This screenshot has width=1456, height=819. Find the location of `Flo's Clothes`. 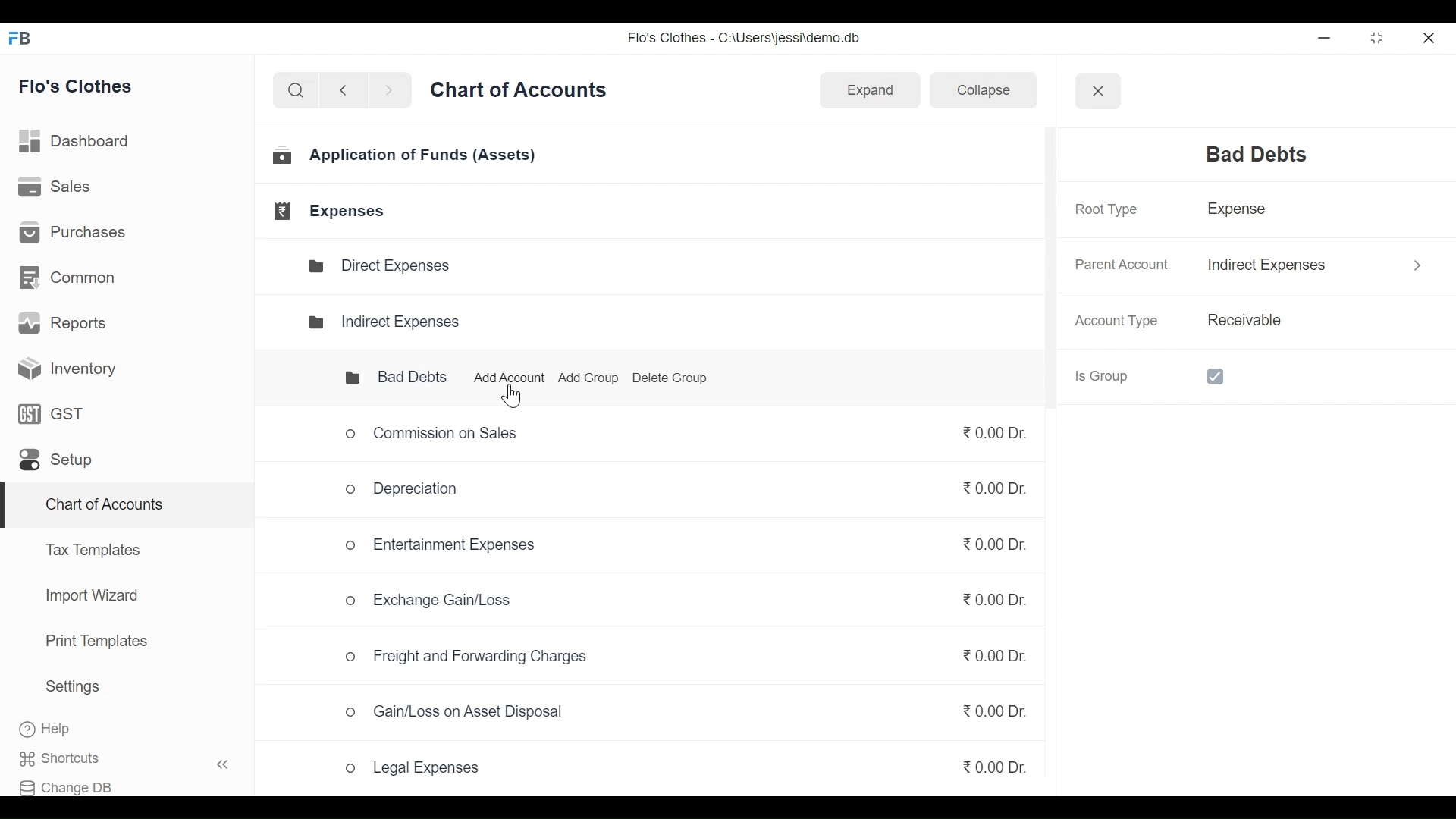

Flo's Clothes is located at coordinates (83, 87).